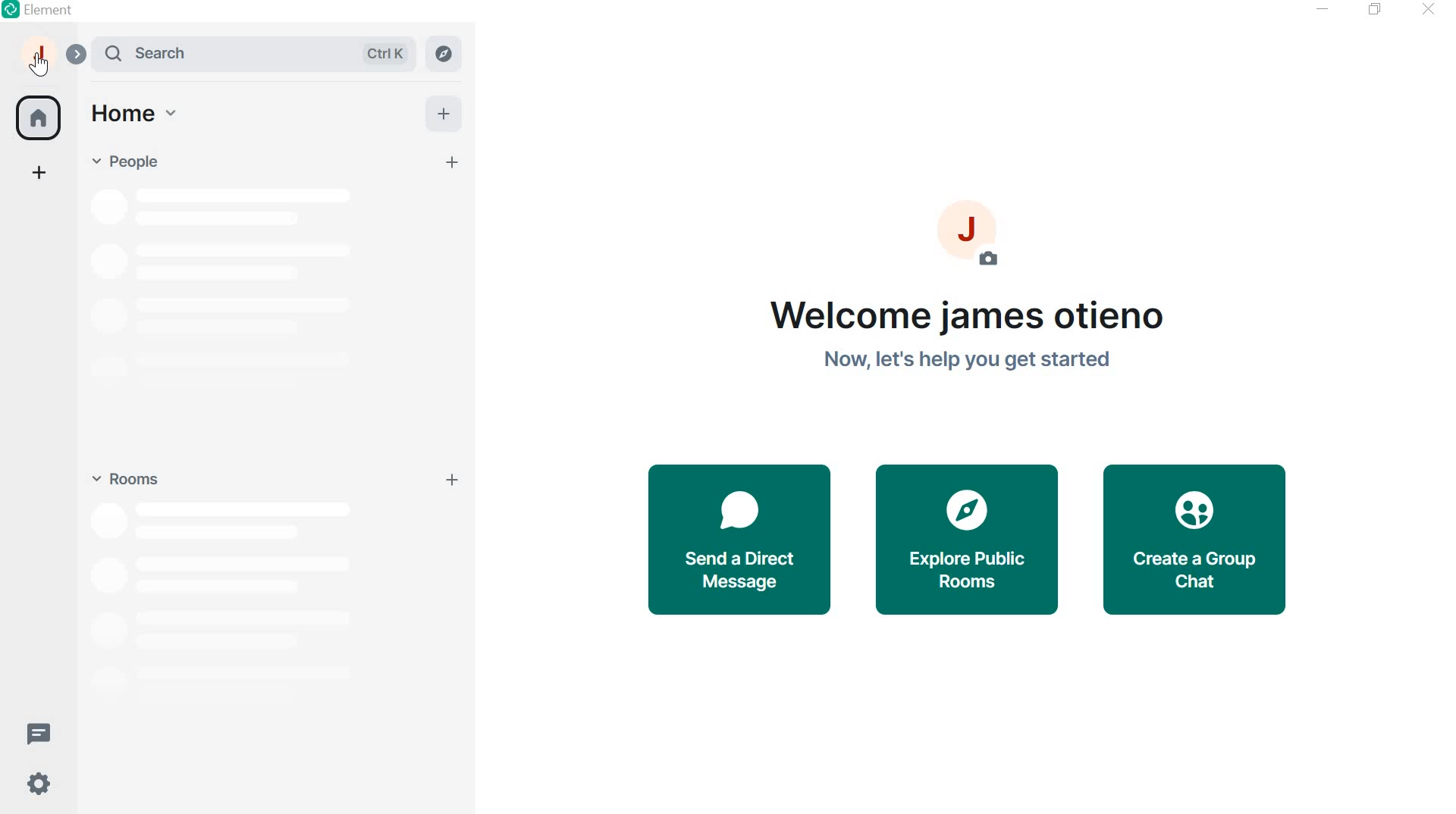  Describe the element at coordinates (445, 54) in the screenshot. I see `EXPLORE ROOMS` at that location.